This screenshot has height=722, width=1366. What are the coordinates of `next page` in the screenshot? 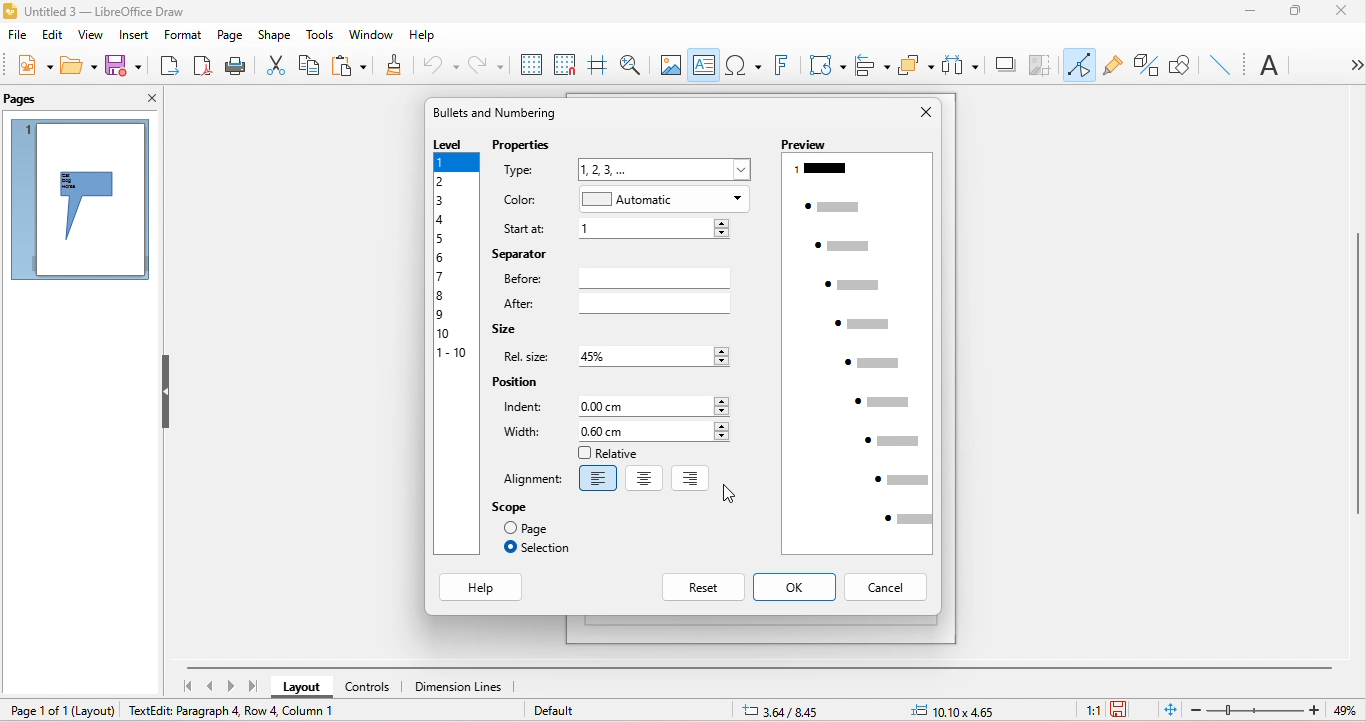 It's located at (234, 685).